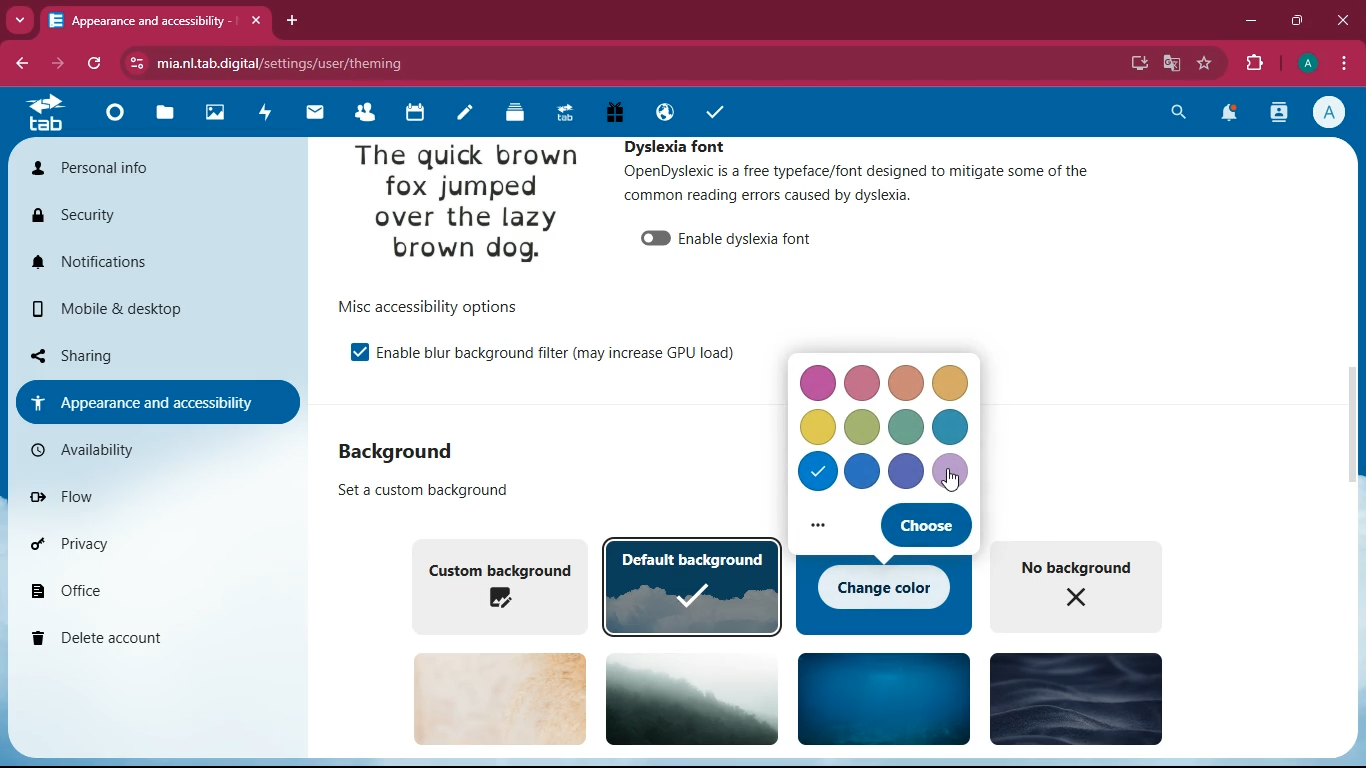 The height and width of the screenshot is (768, 1366). What do you see at coordinates (61, 64) in the screenshot?
I see `forward` at bounding box center [61, 64].